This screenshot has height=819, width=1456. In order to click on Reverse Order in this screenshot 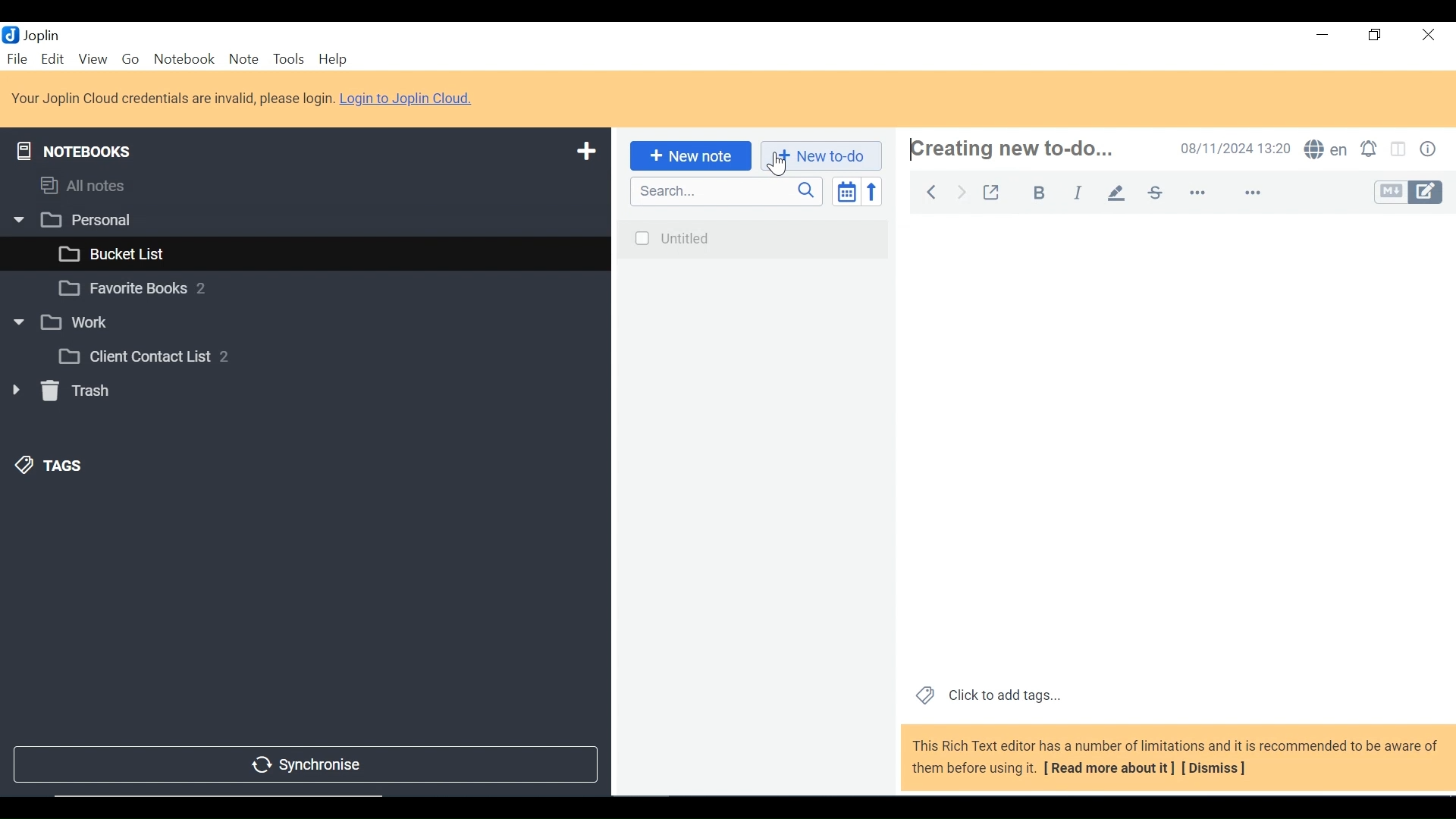, I will do `click(871, 191)`.